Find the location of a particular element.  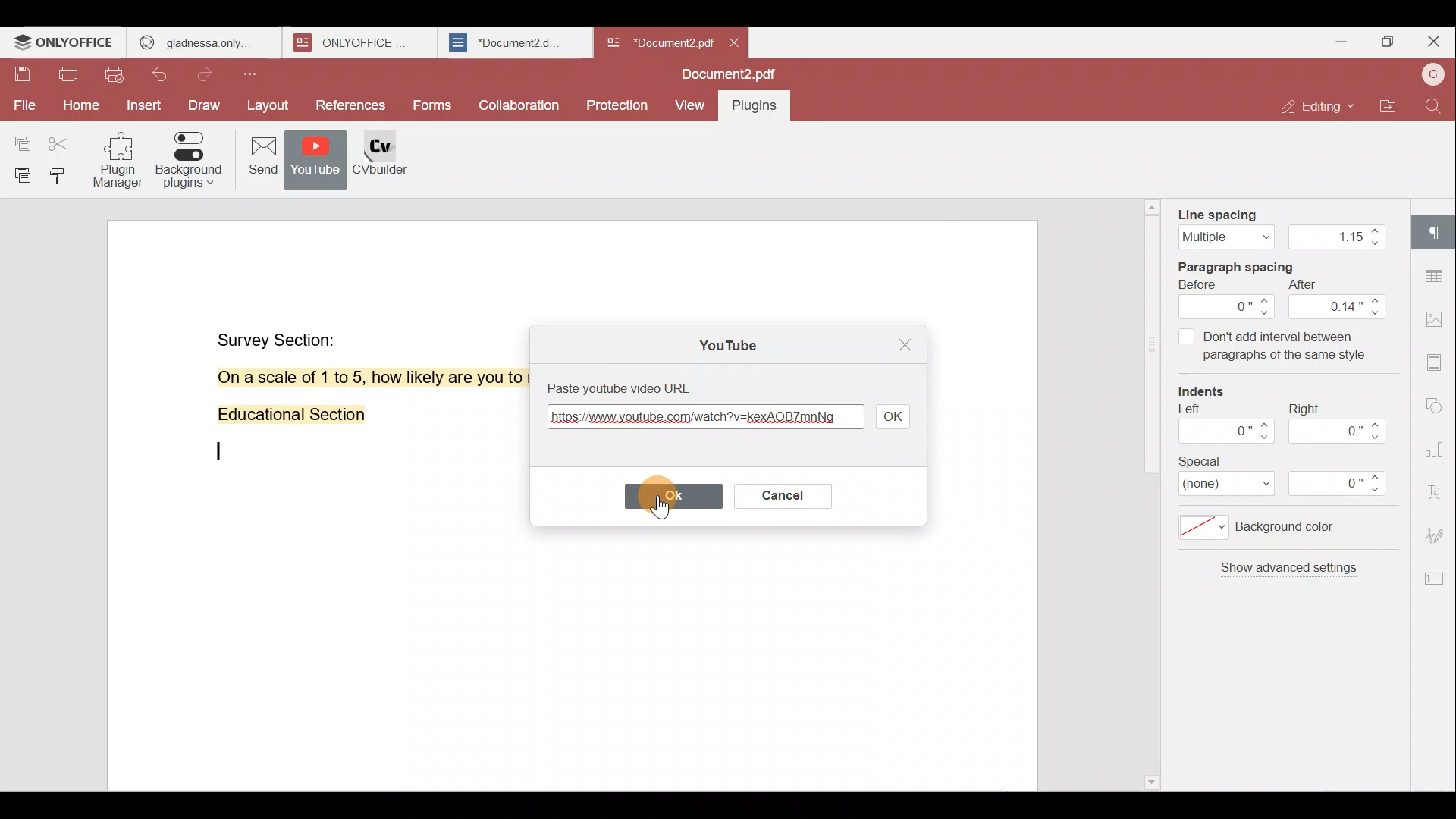

Paste is located at coordinates (18, 175).